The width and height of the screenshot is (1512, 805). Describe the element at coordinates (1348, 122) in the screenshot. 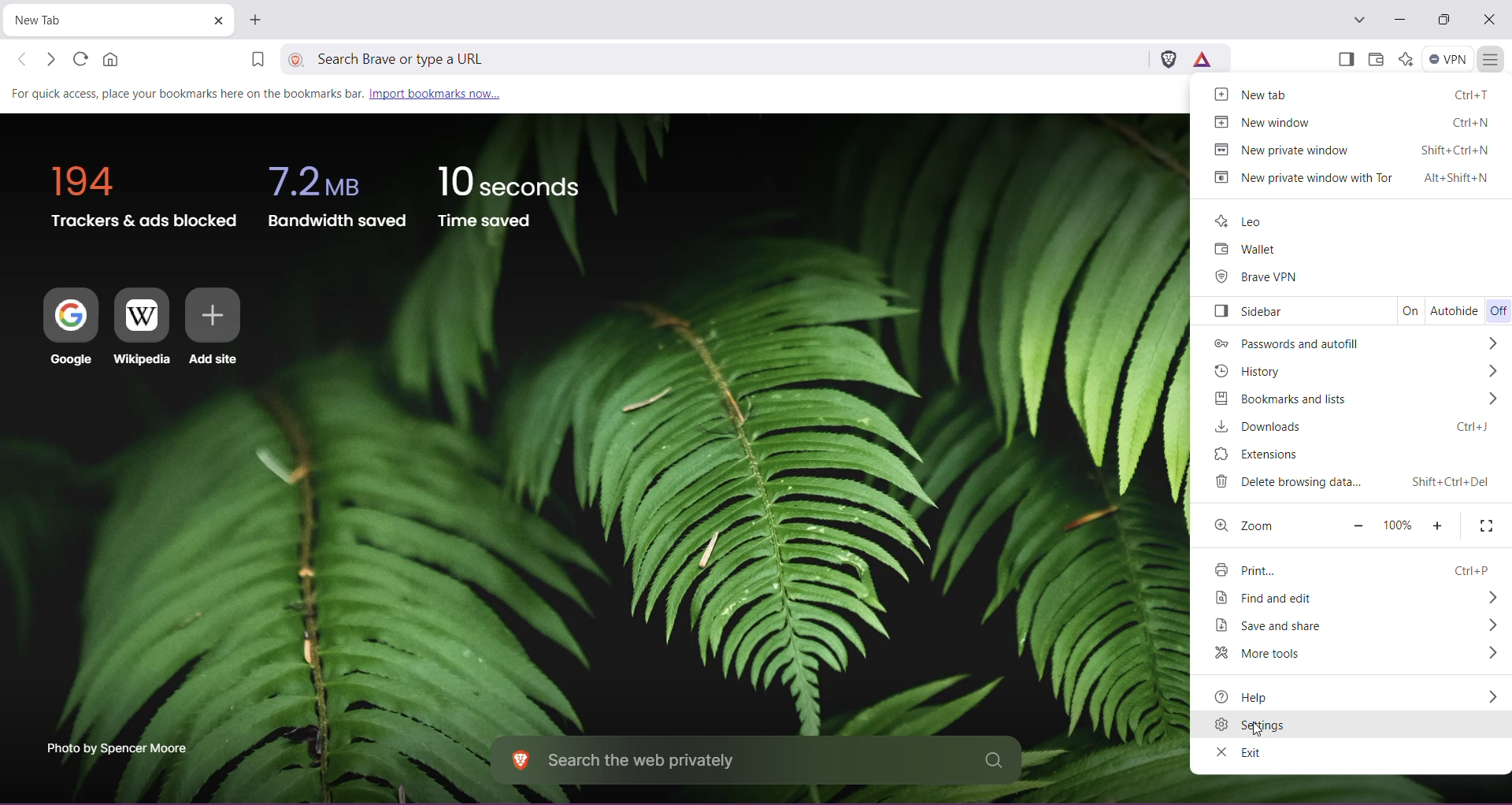

I see `New Window` at that location.